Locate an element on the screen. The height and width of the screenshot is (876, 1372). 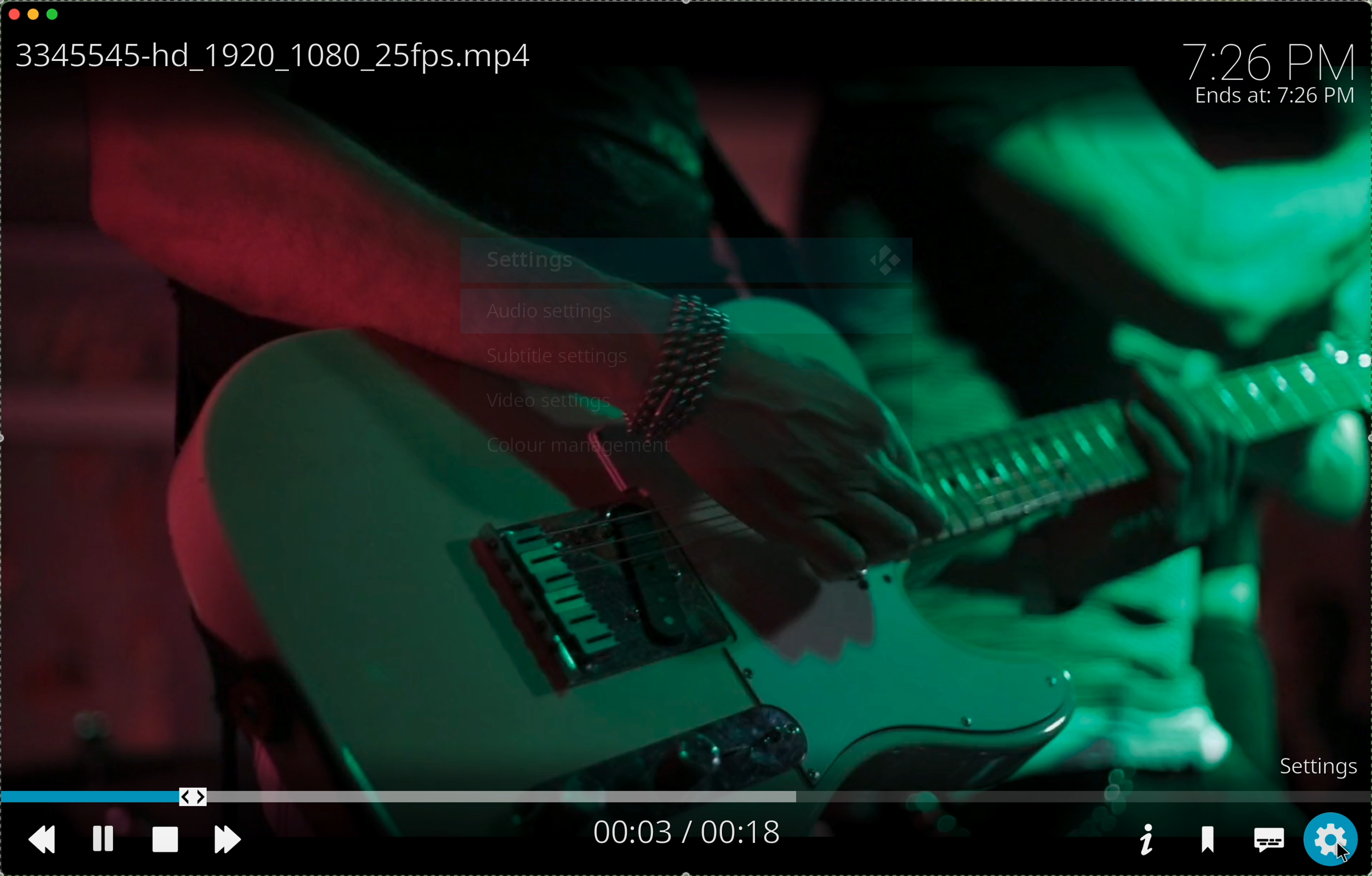
save is located at coordinates (1211, 844).